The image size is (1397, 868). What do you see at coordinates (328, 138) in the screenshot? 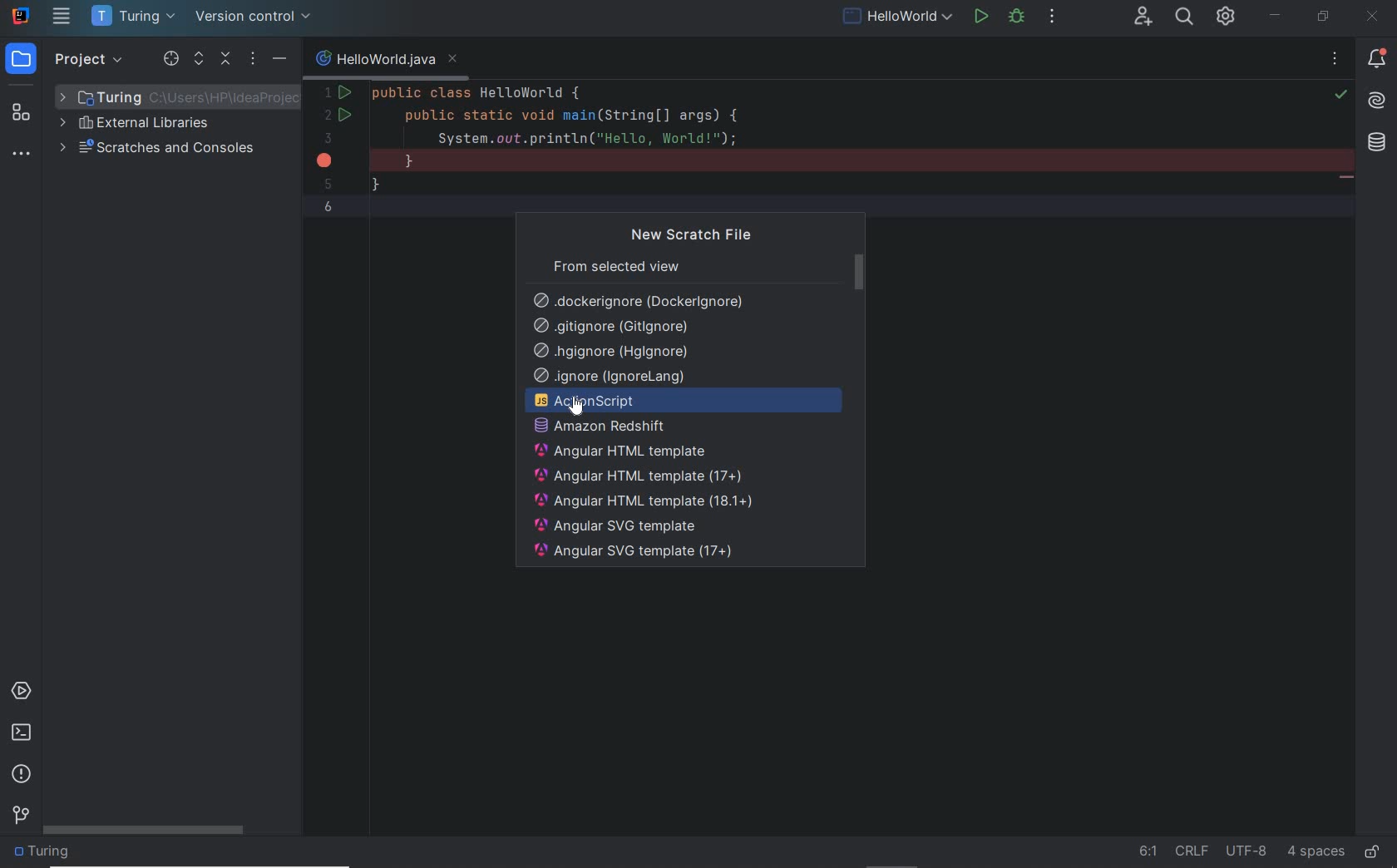
I see `3` at bounding box center [328, 138].